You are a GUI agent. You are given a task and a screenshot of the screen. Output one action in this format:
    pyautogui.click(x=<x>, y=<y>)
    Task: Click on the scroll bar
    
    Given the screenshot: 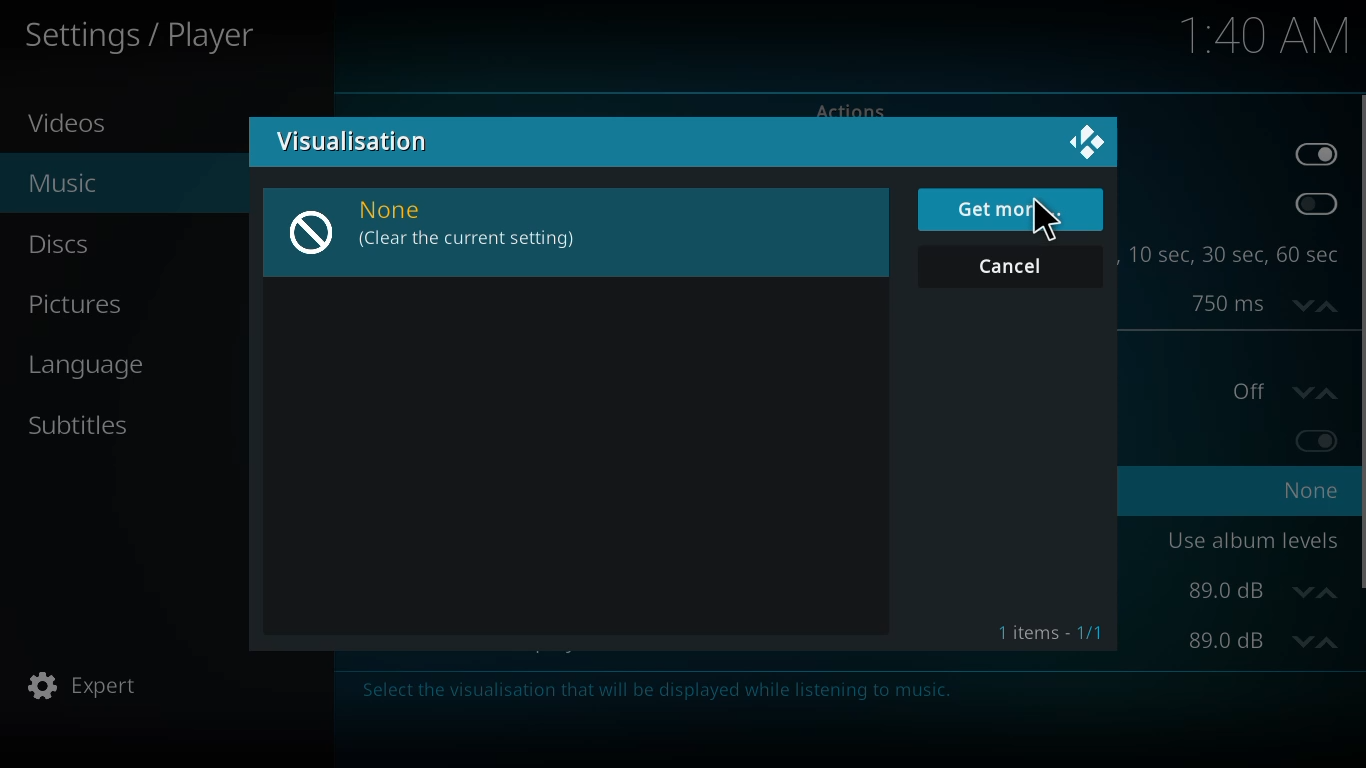 What is the action you would take?
    pyautogui.click(x=1360, y=340)
    